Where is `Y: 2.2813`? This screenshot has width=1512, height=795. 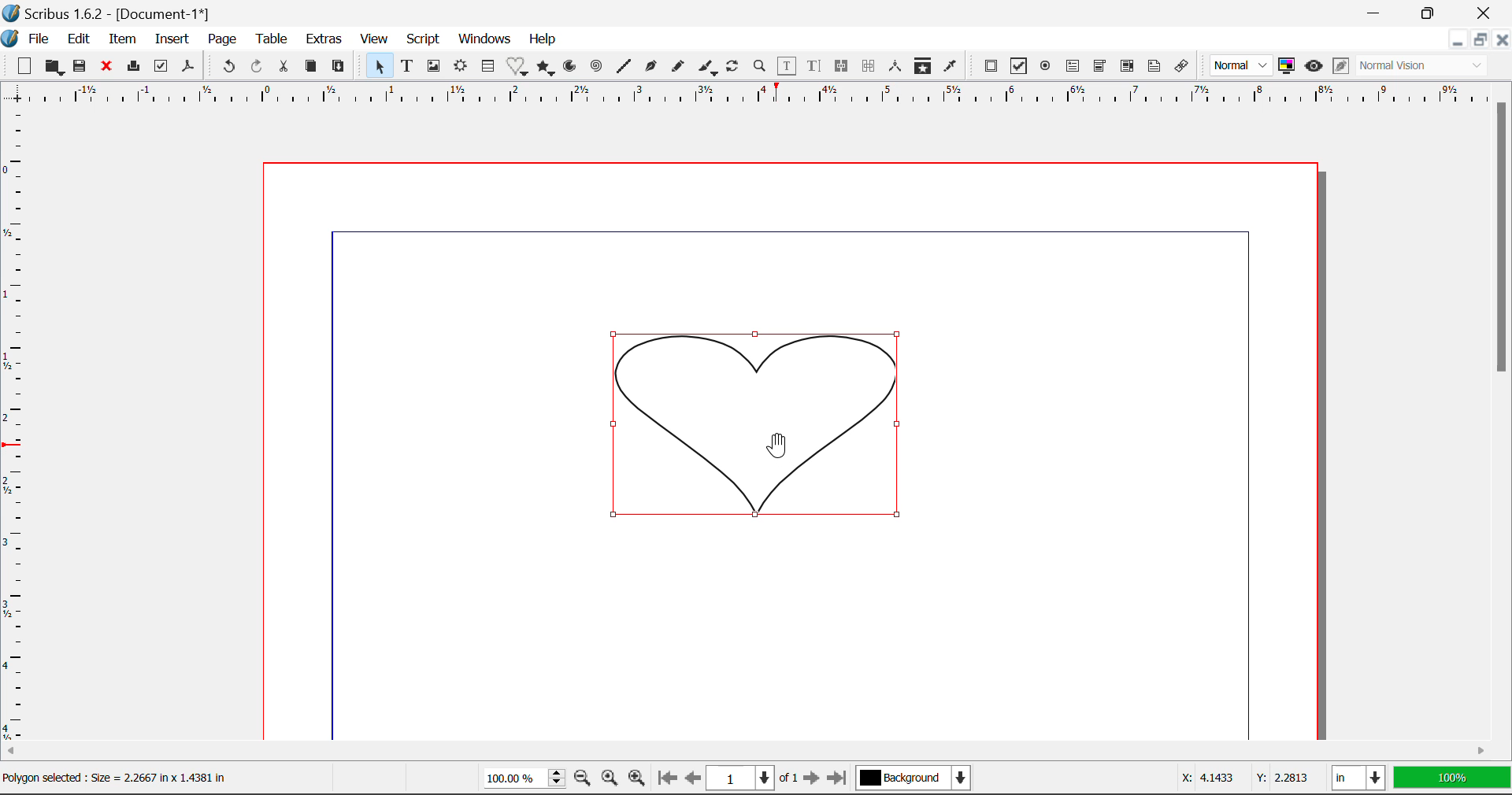
Y: 2.2813 is located at coordinates (1281, 778).